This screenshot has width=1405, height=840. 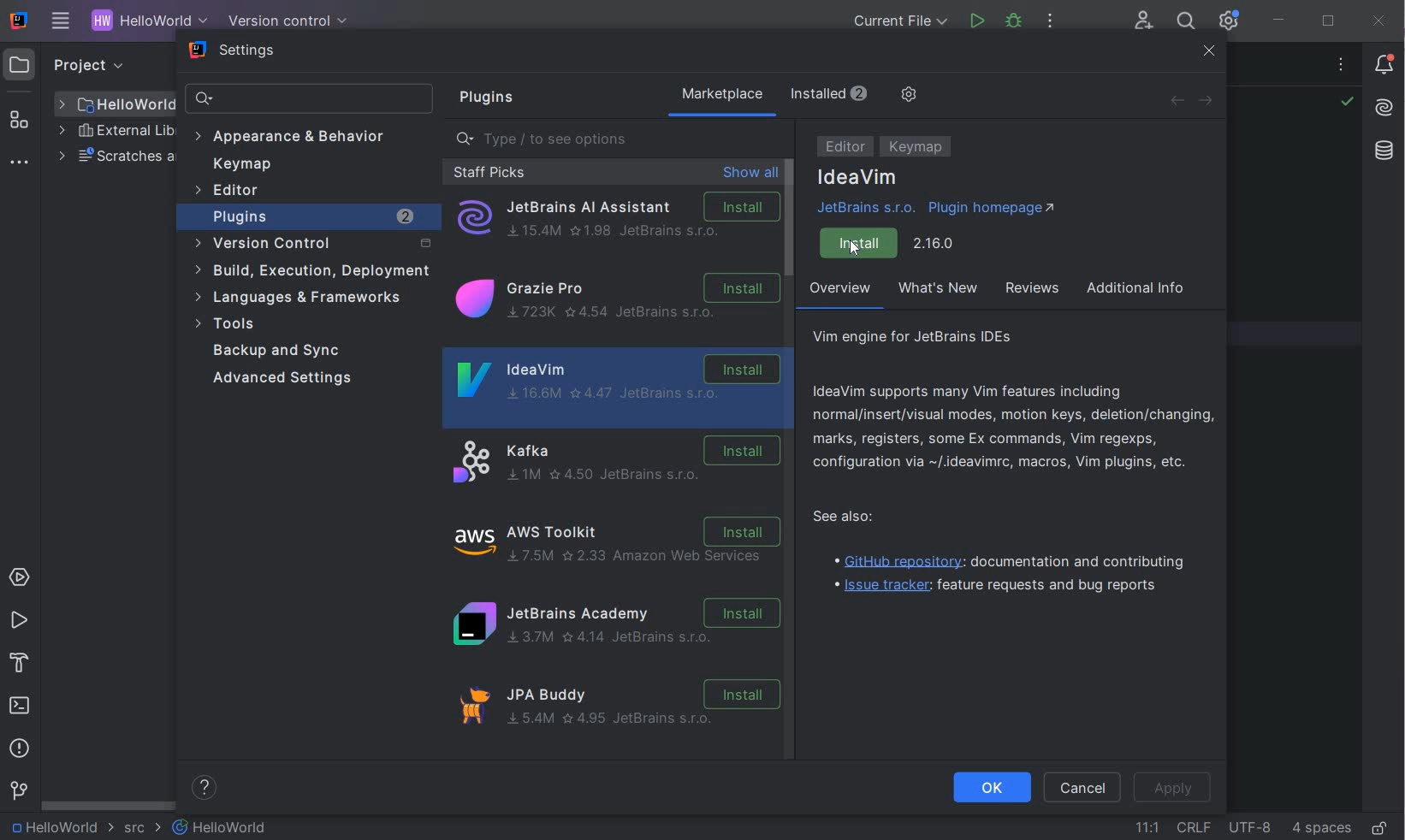 What do you see at coordinates (1015, 425) in the screenshot?
I see `IdeaVim supports many Vim features including` at bounding box center [1015, 425].